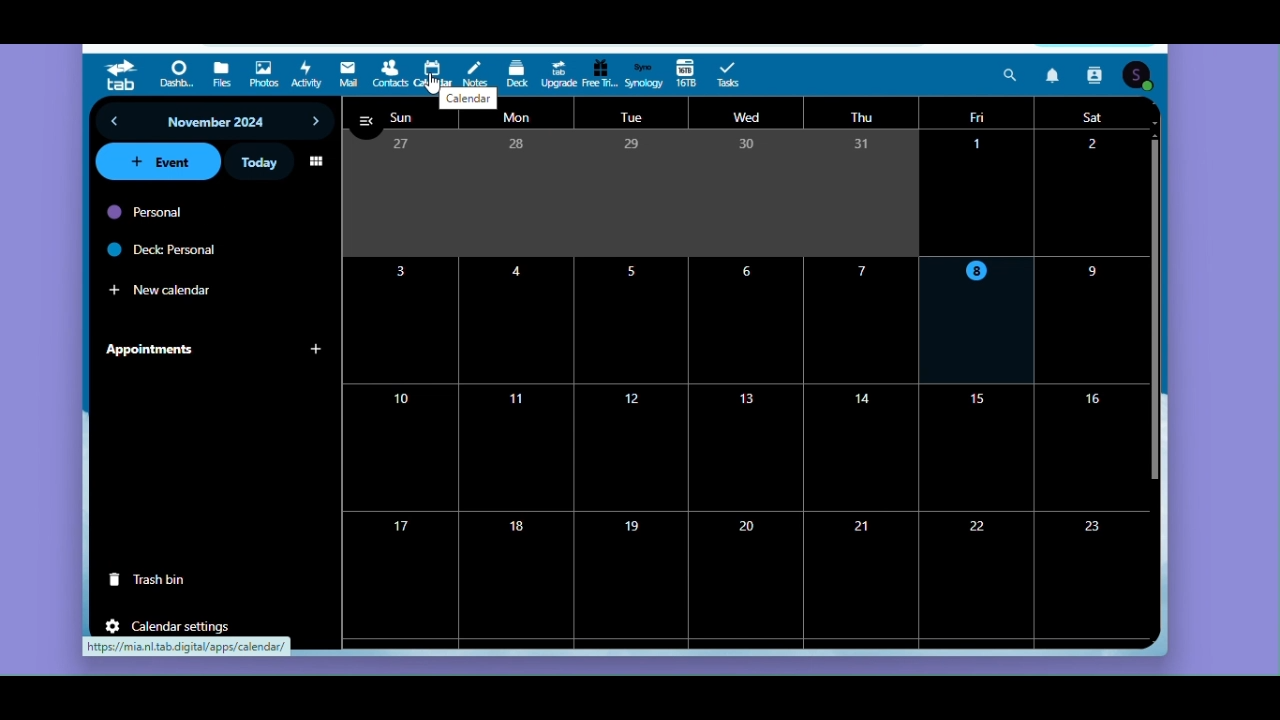 This screenshot has height=720, width=1280. I want to click on add event, so click(158, 164).